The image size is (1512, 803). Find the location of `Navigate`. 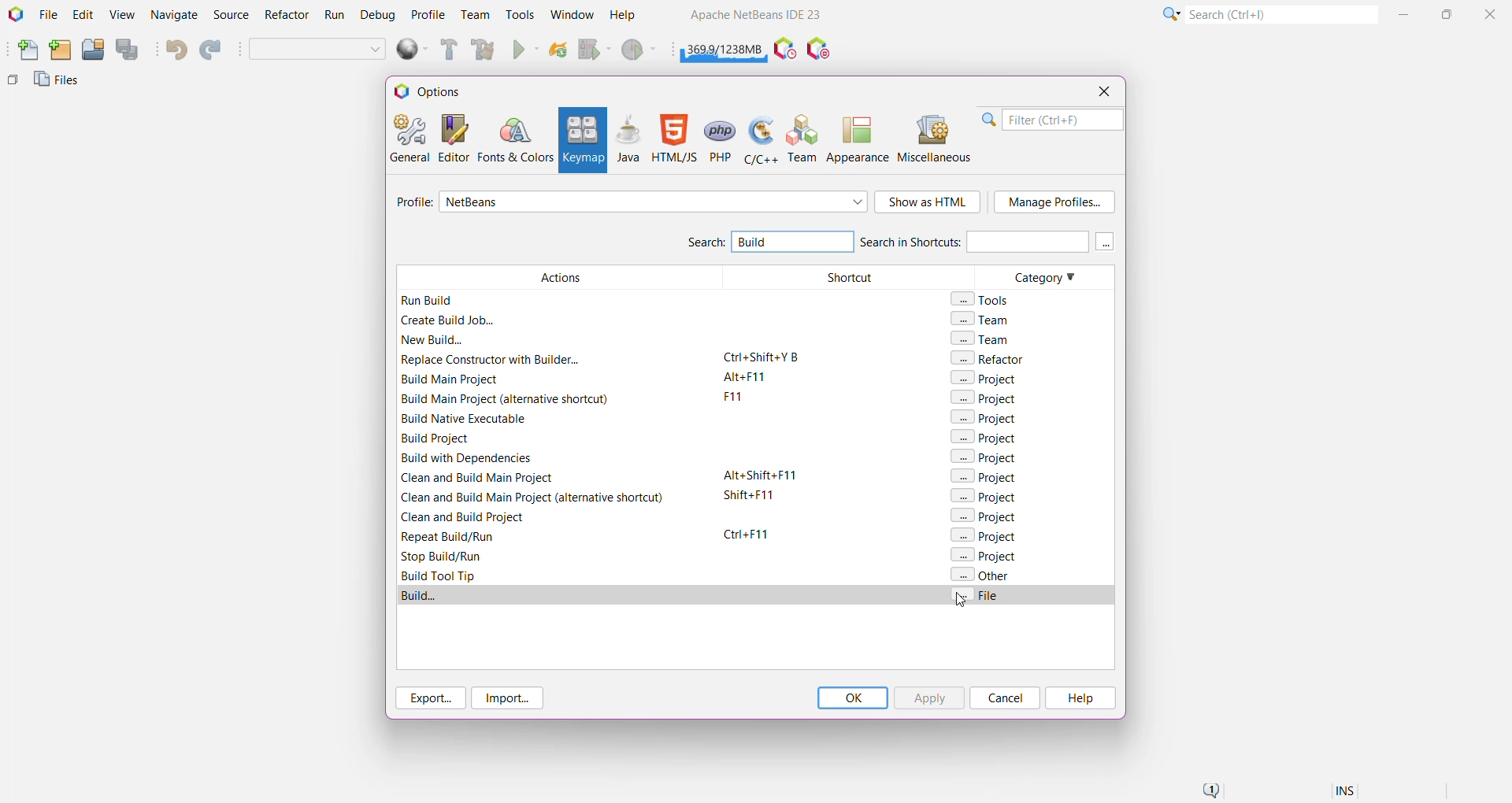

Navigate is located at coordinates (175, 16).